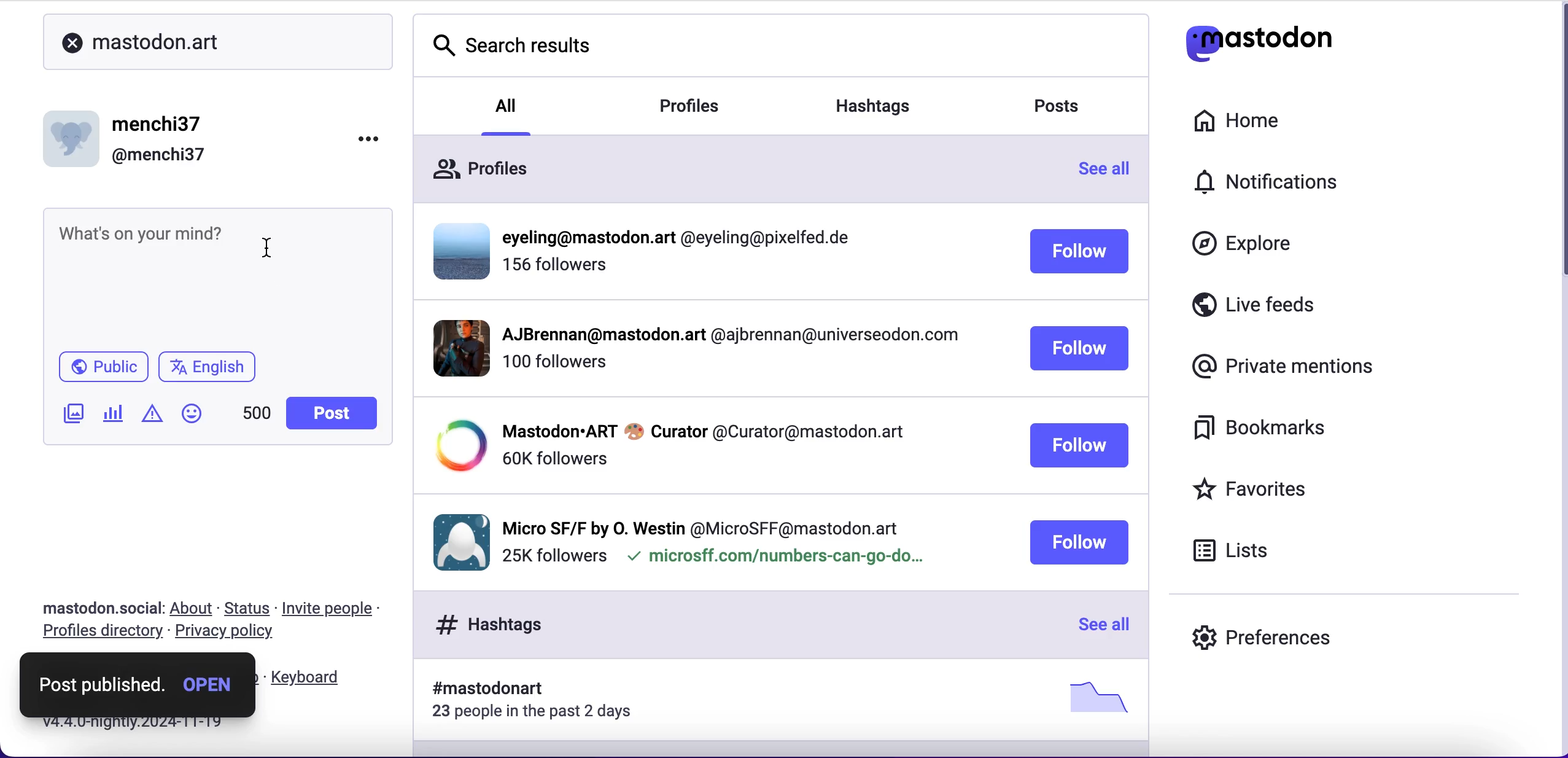 Image resolution: width=1568 pixels, height=758 pixels. Describe the element at coordinates (1078, 542) in the screenshot. I see `follow` at that location.